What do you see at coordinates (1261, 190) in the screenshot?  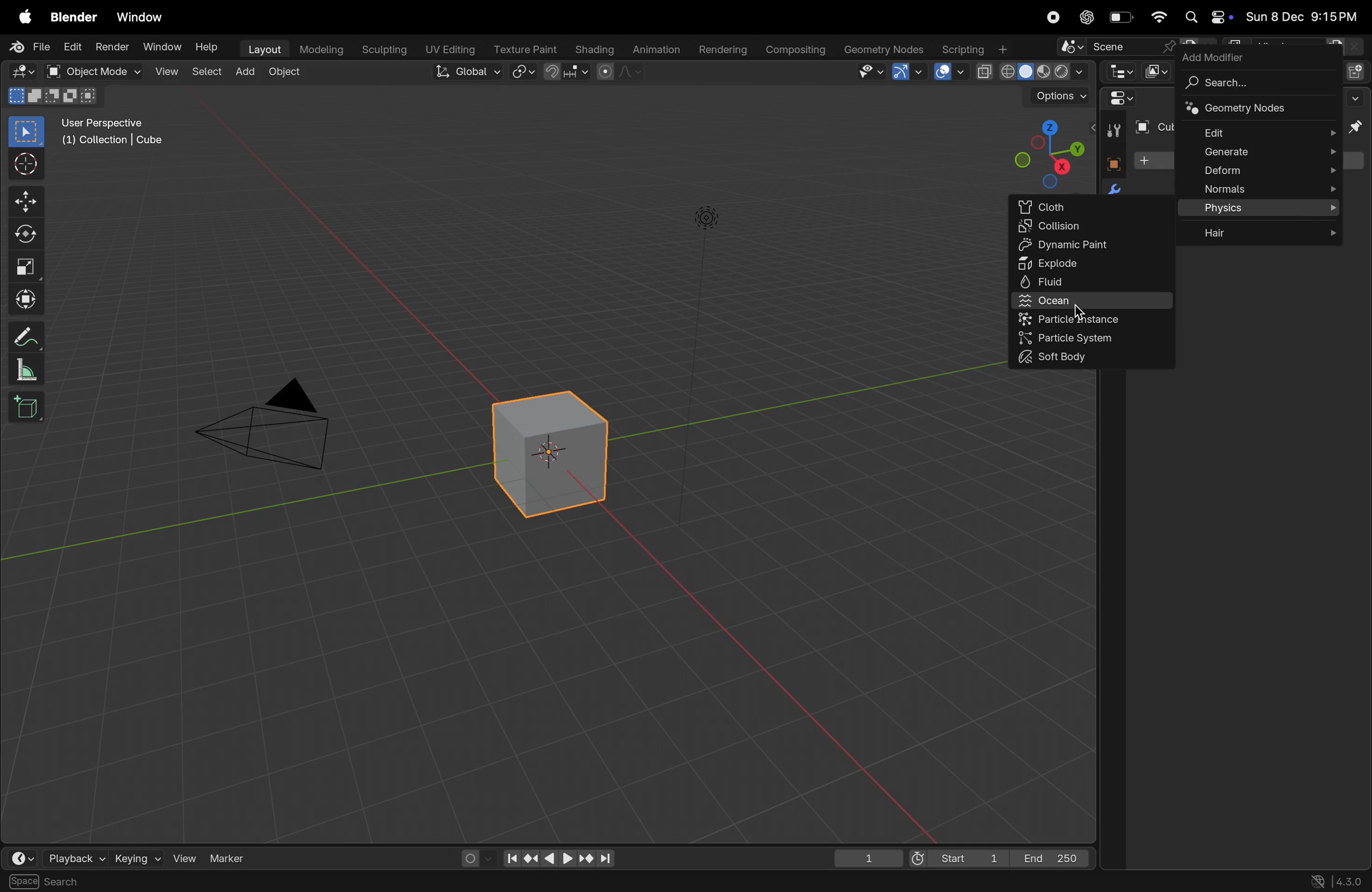 I see `normals` at bounding box center [1261, 190].